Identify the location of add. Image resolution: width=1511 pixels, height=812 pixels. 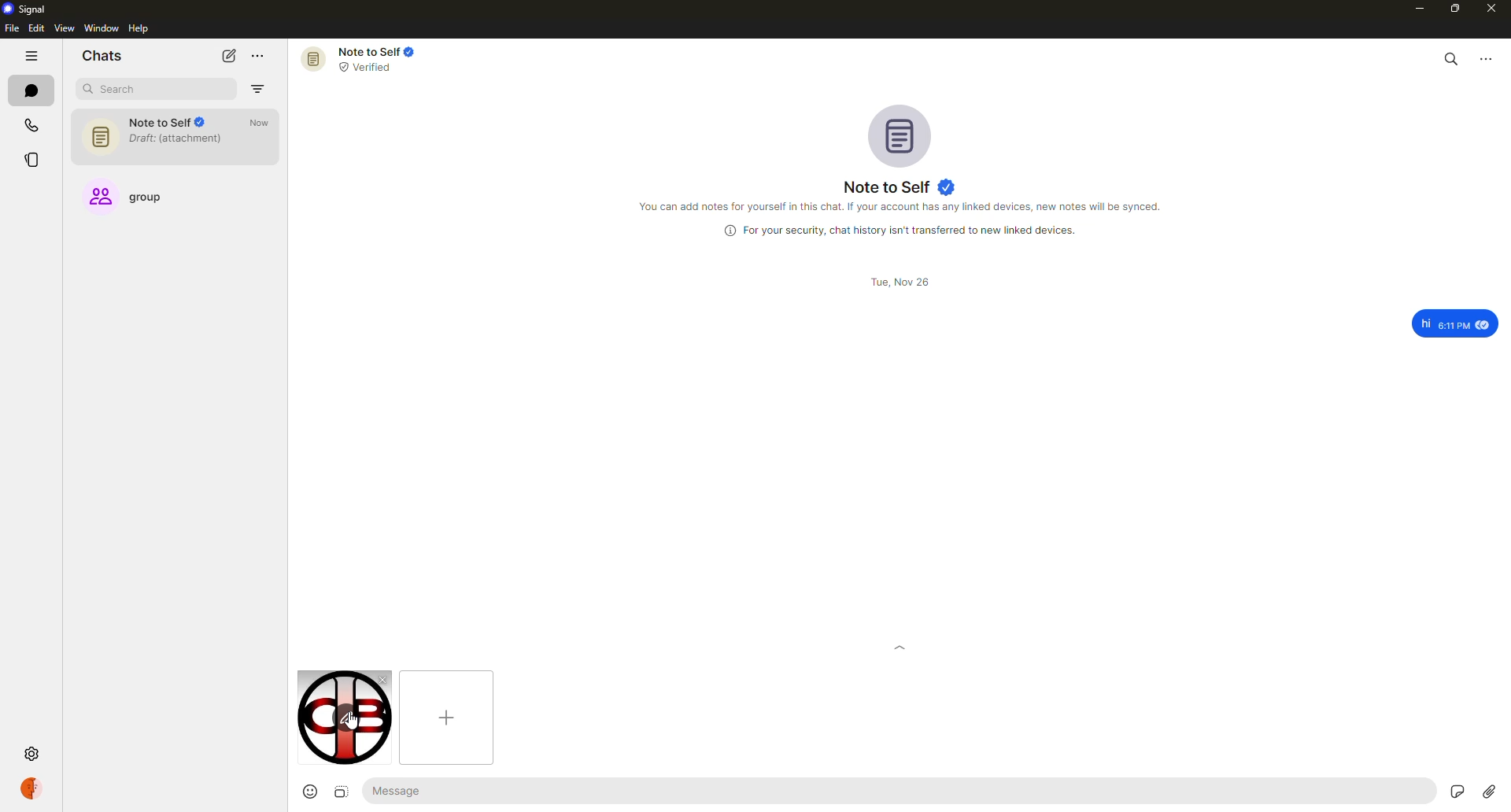
(445, 716).